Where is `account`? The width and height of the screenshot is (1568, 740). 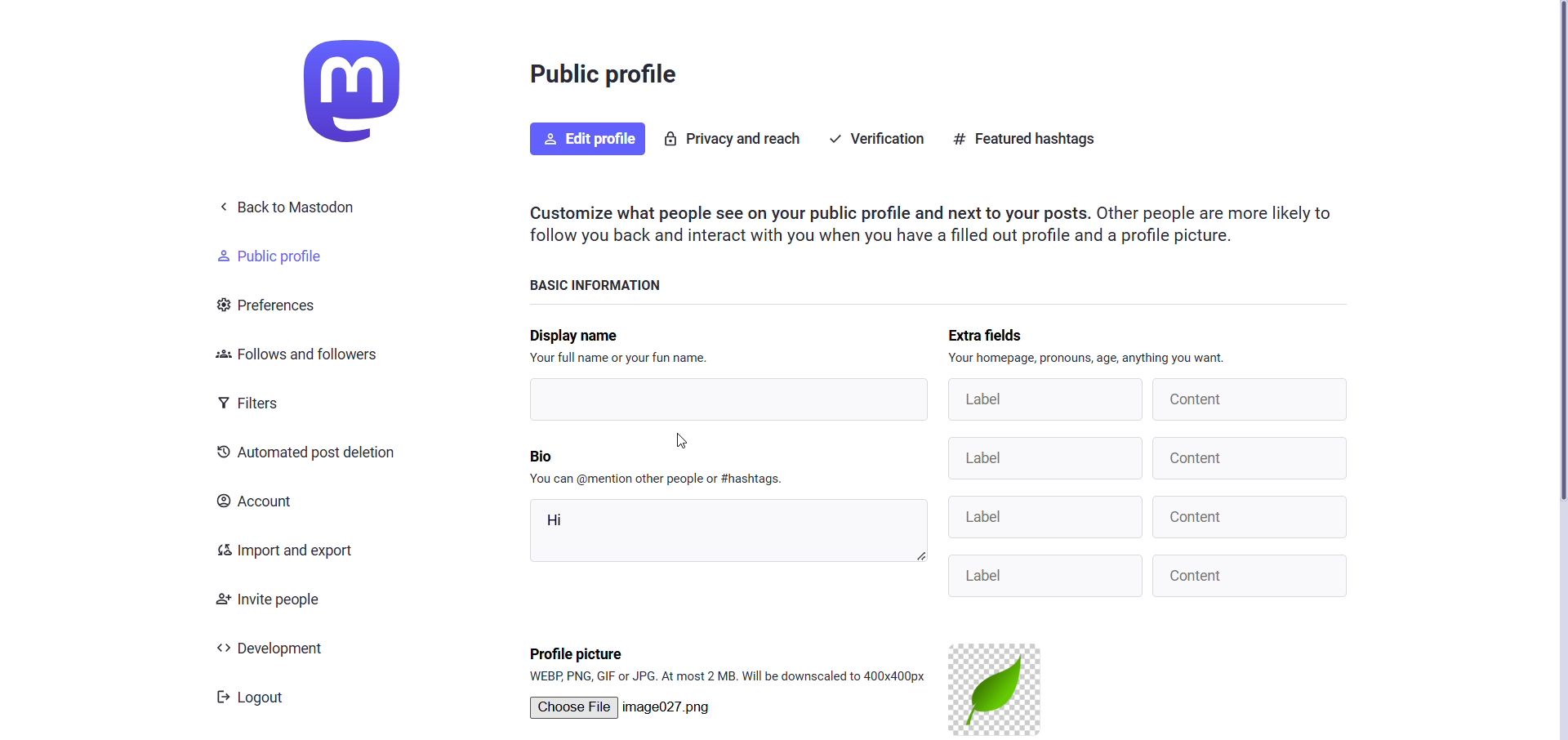 account is located at coordinates (252, 502).